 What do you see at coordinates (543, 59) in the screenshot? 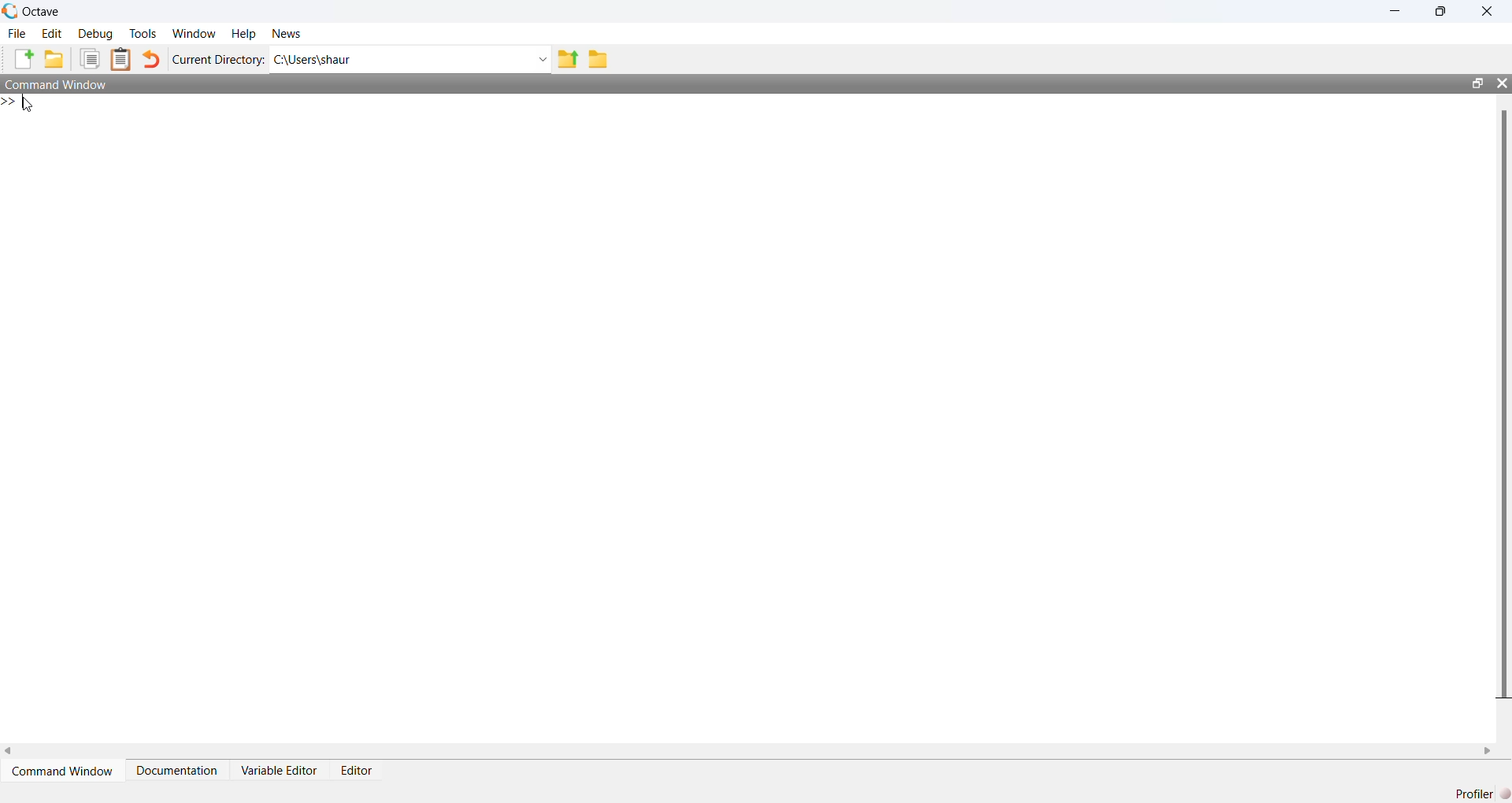
I see `Drop-down ` at bounding box center [543, 59].